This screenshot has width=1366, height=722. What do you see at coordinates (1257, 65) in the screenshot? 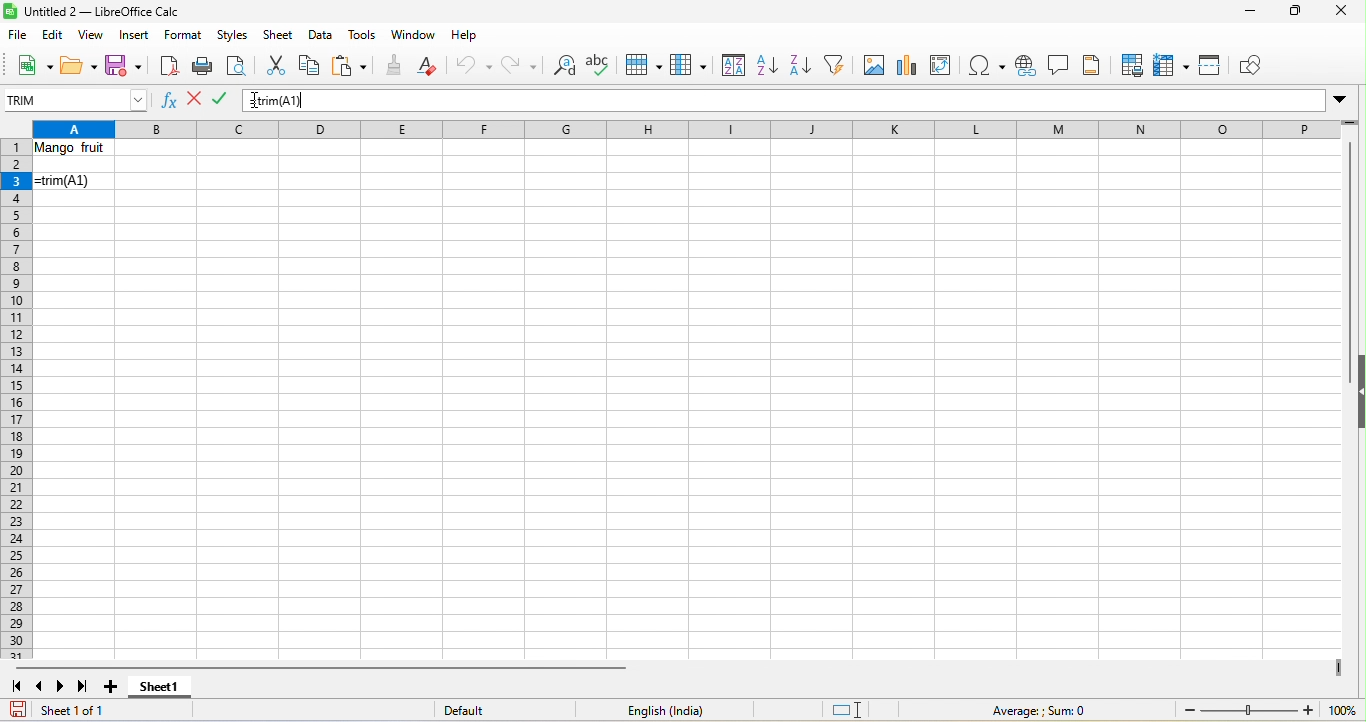
I see `show draw function` at bounding box center [1257, 65].